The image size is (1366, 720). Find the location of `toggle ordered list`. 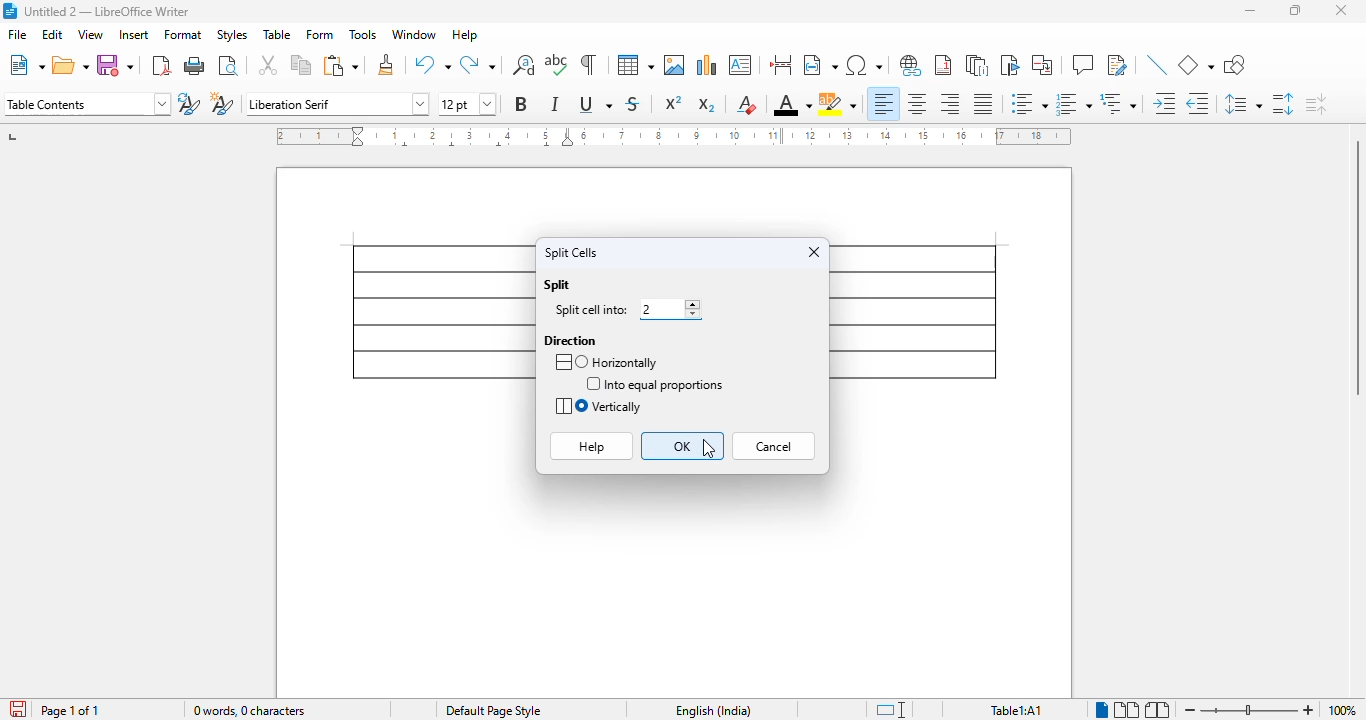

toggle ordered list is located at coordinates (1074, 104).